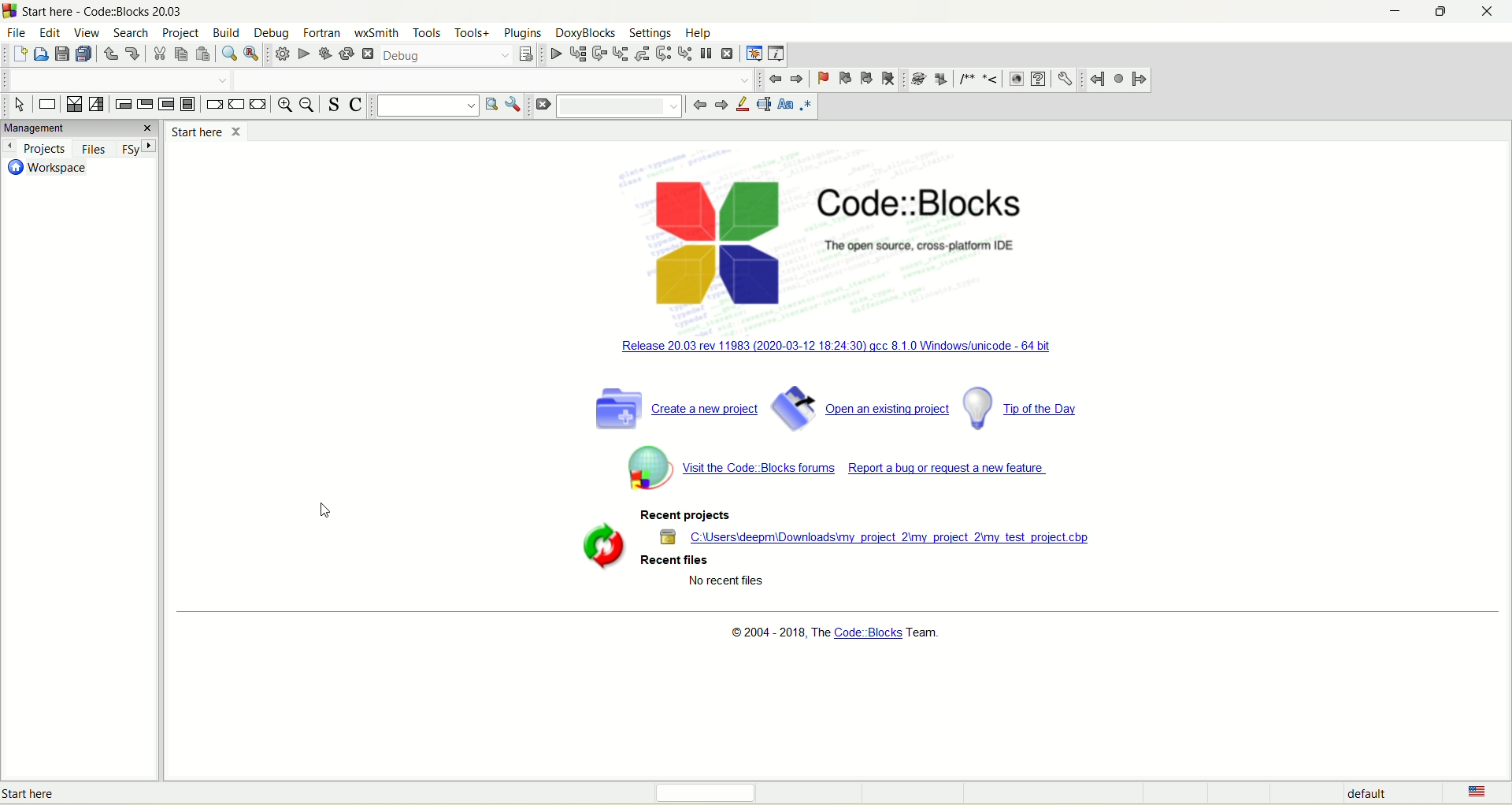 This screenshot has width=1512, height=805. Describe the element at coordinates (1369, 796) in the screenshot. I see `default` at that location.